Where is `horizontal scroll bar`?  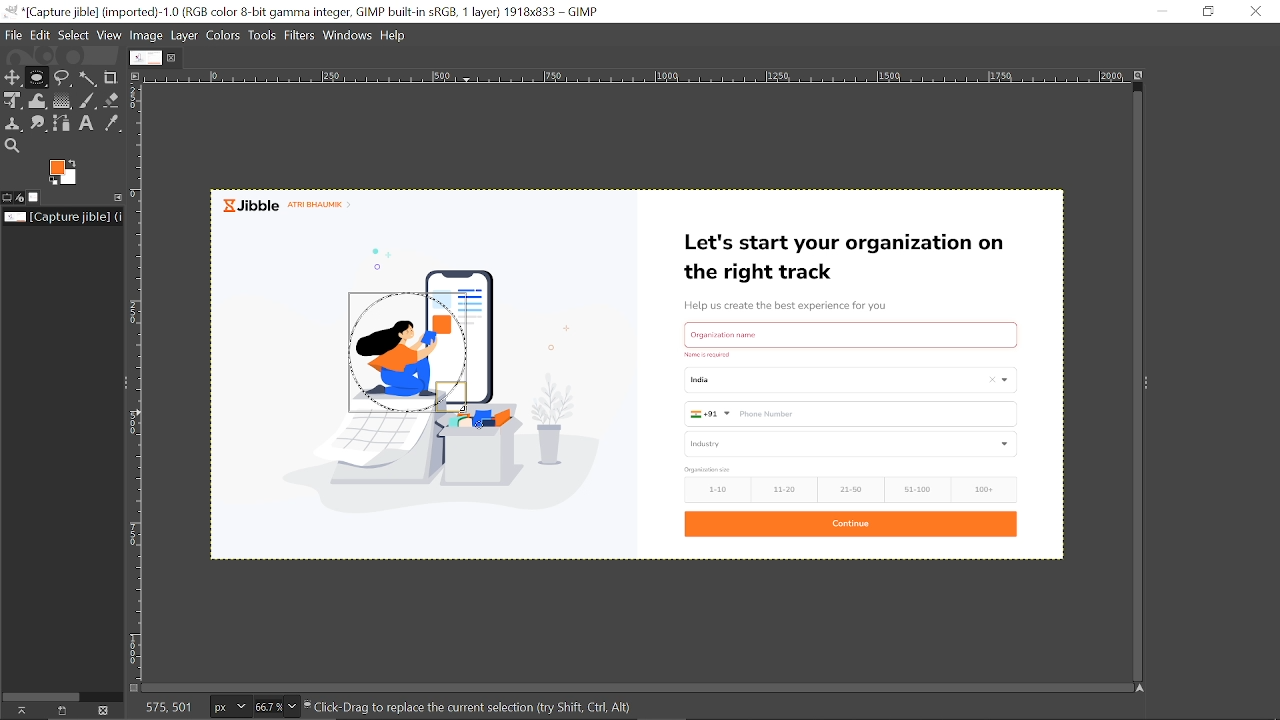 horizontal scroll bar is located at coordinates (639, 683).